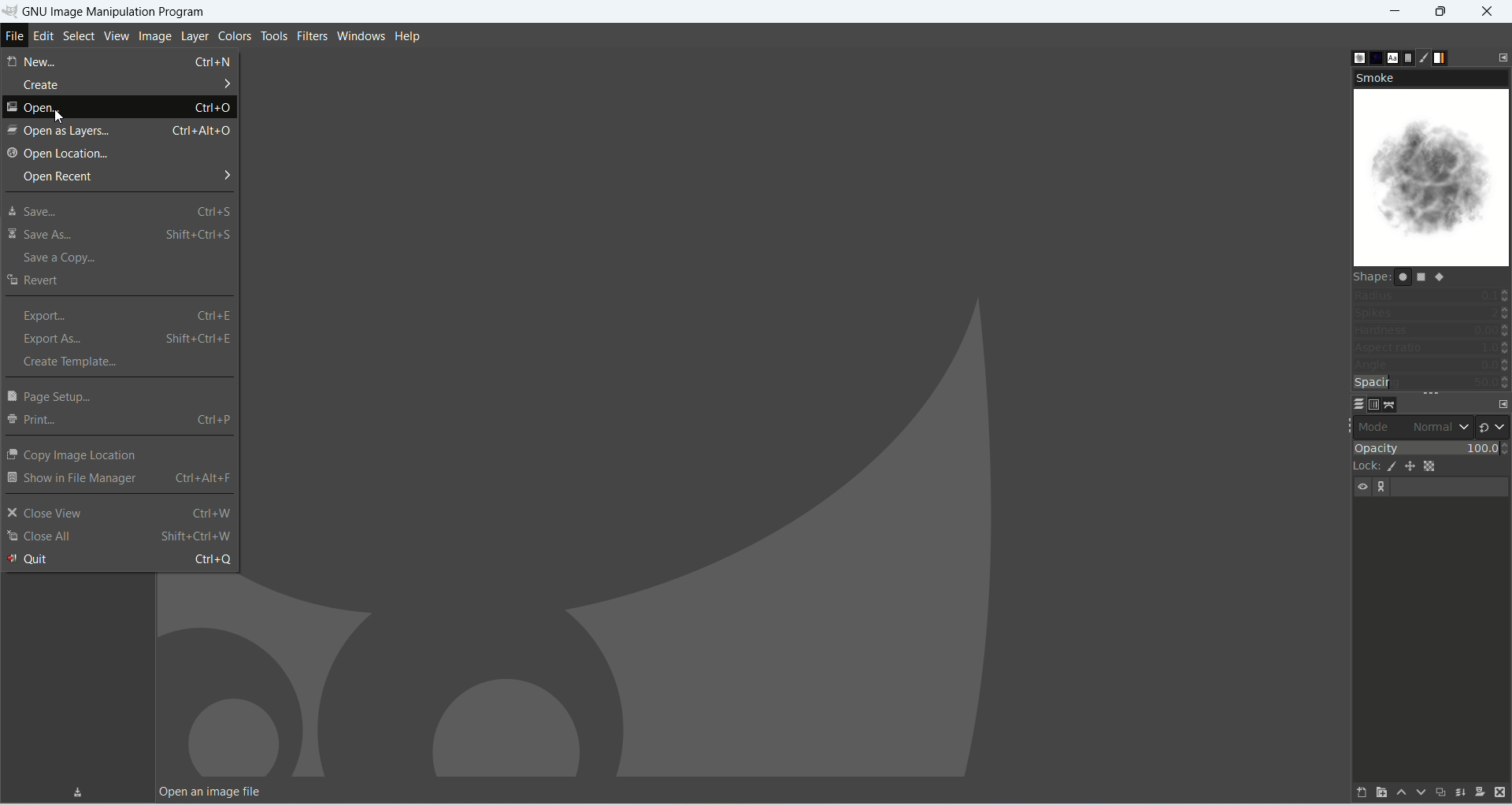 The width and height of the screenshot is (1512, 805). I want to click on lock alpha channel, so click(1429, 467).